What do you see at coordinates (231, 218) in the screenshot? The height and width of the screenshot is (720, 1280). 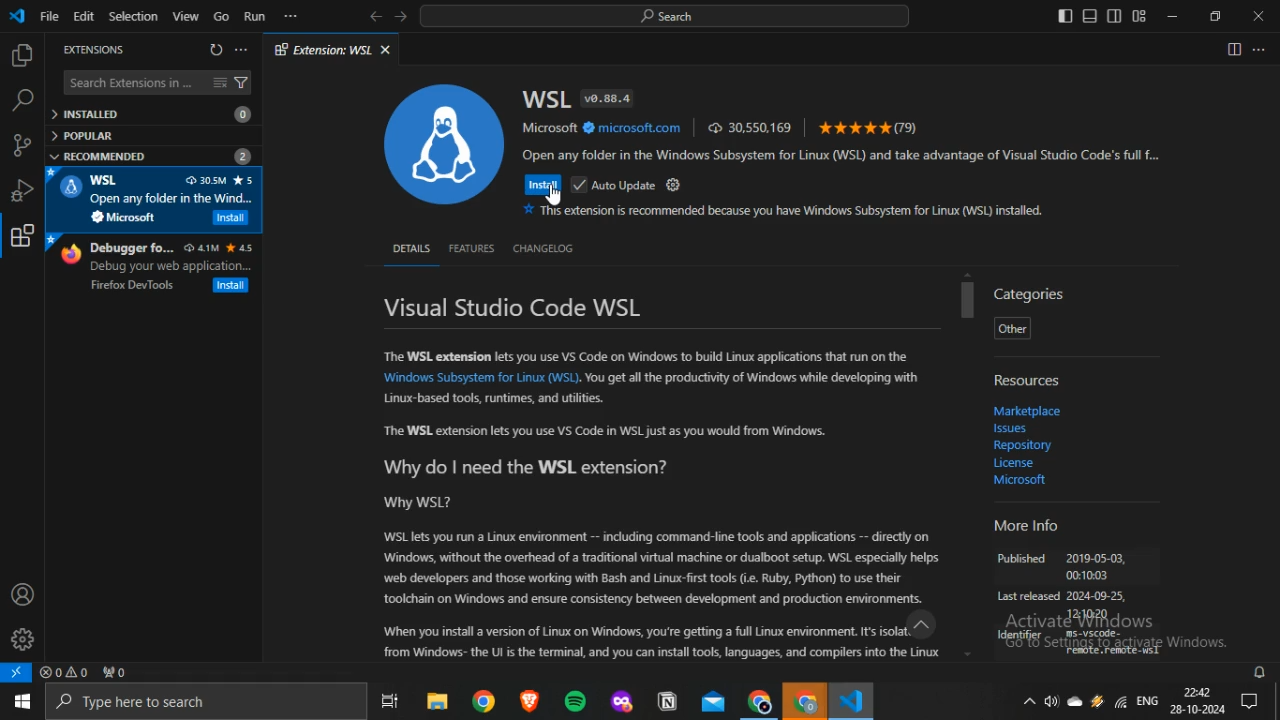 I see `Install` at bounding box center [231, 218].